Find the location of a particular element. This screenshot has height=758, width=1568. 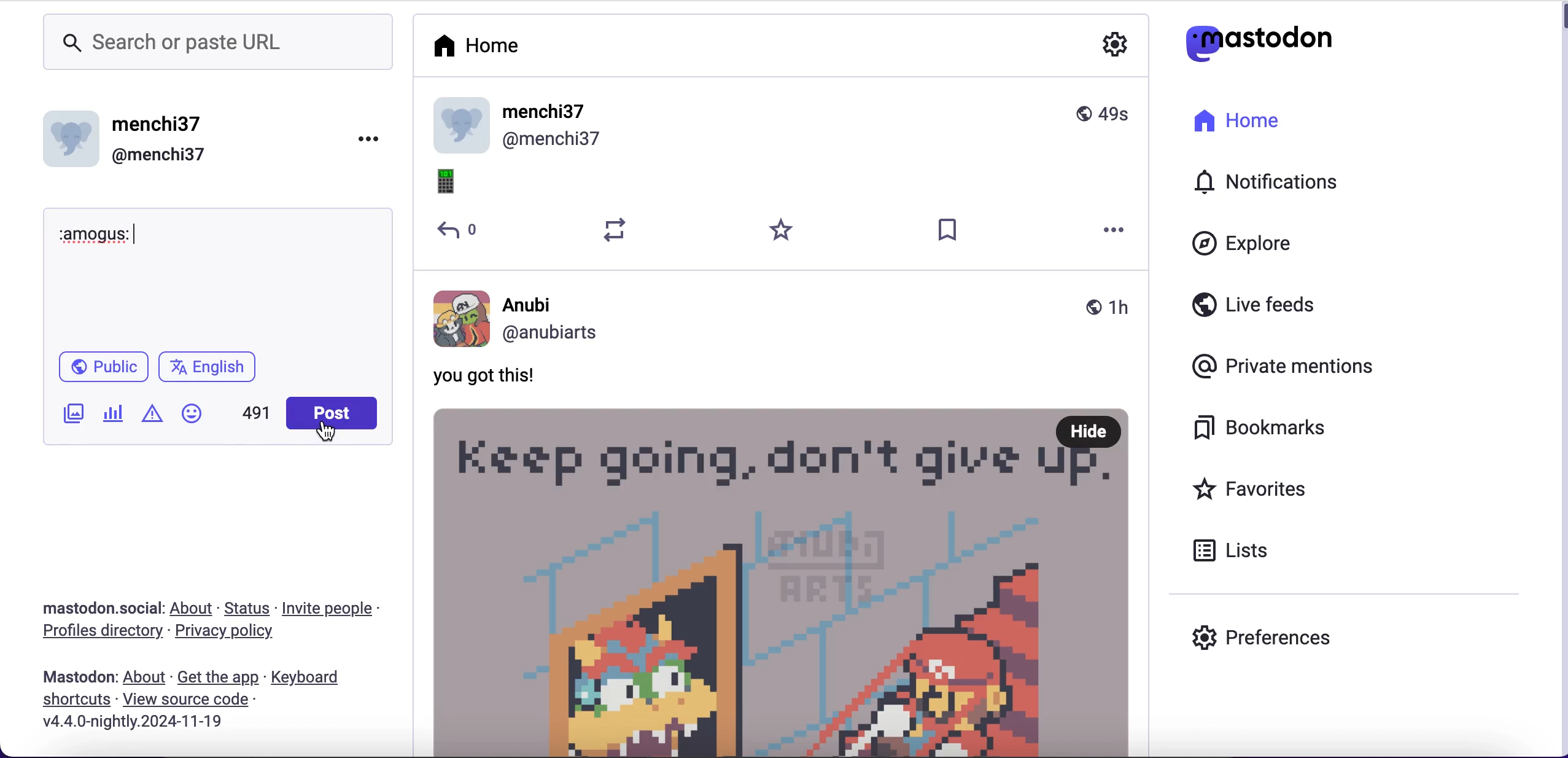

preferences is located at coordinates (1268, 636).